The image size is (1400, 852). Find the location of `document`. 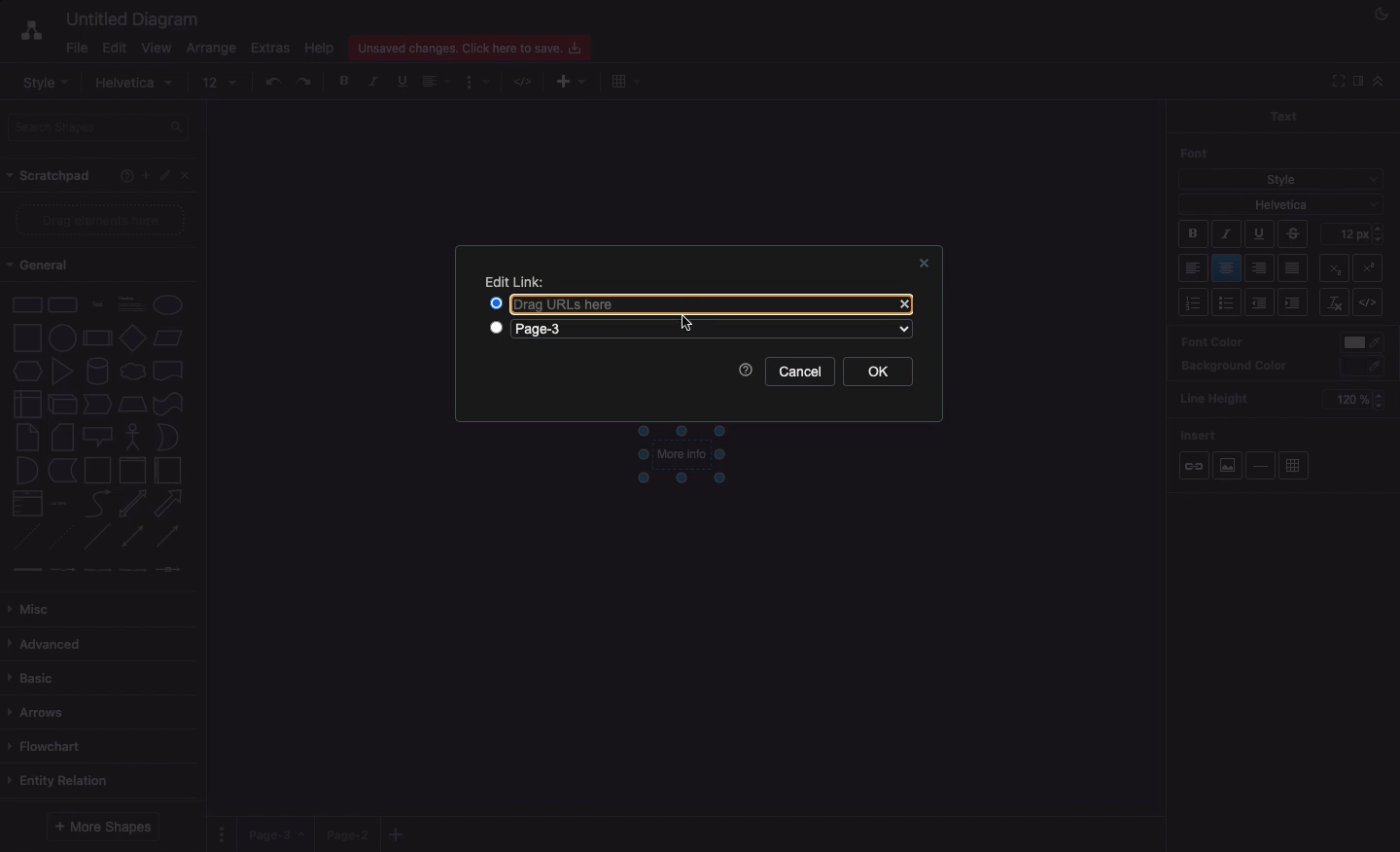

document is located at coordinates (169, 371).